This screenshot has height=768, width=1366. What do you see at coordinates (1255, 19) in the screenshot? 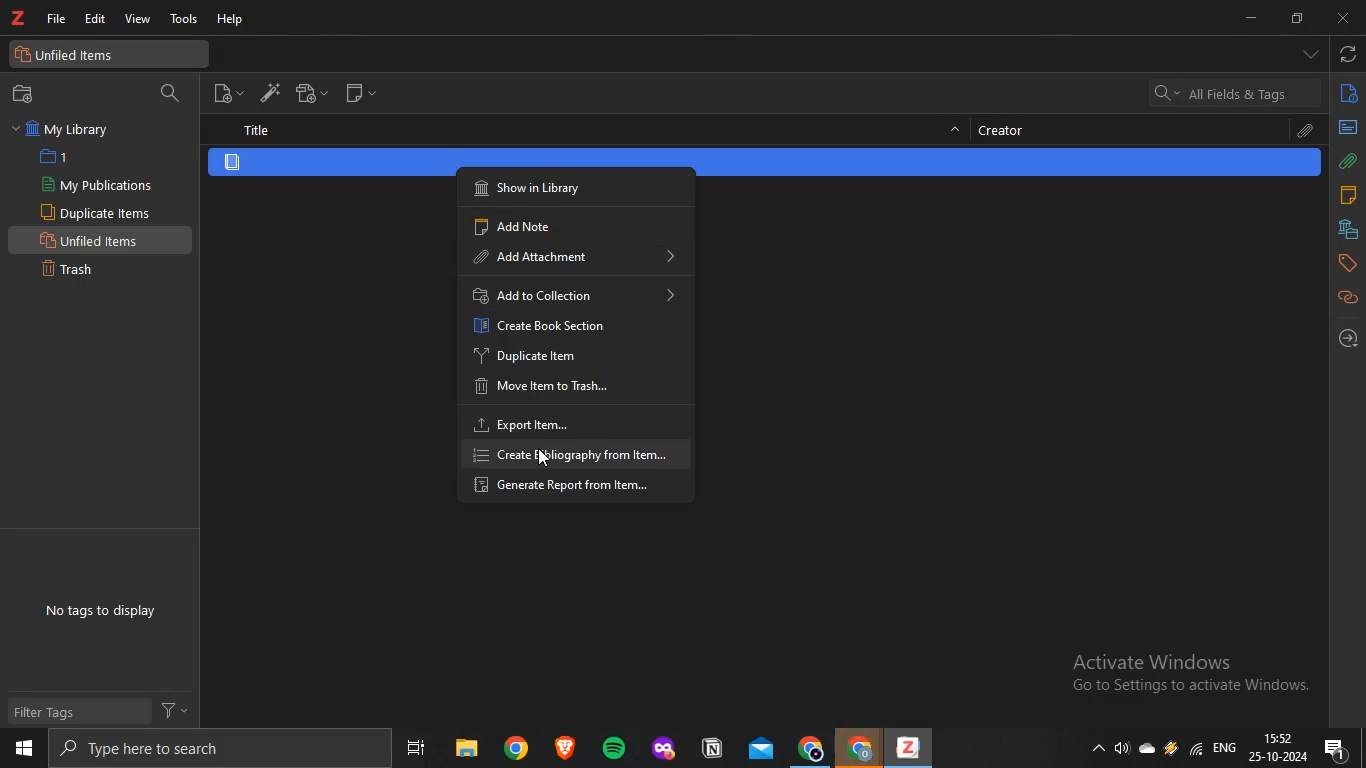
I see `minimize` at bounding box center [1255, 19].